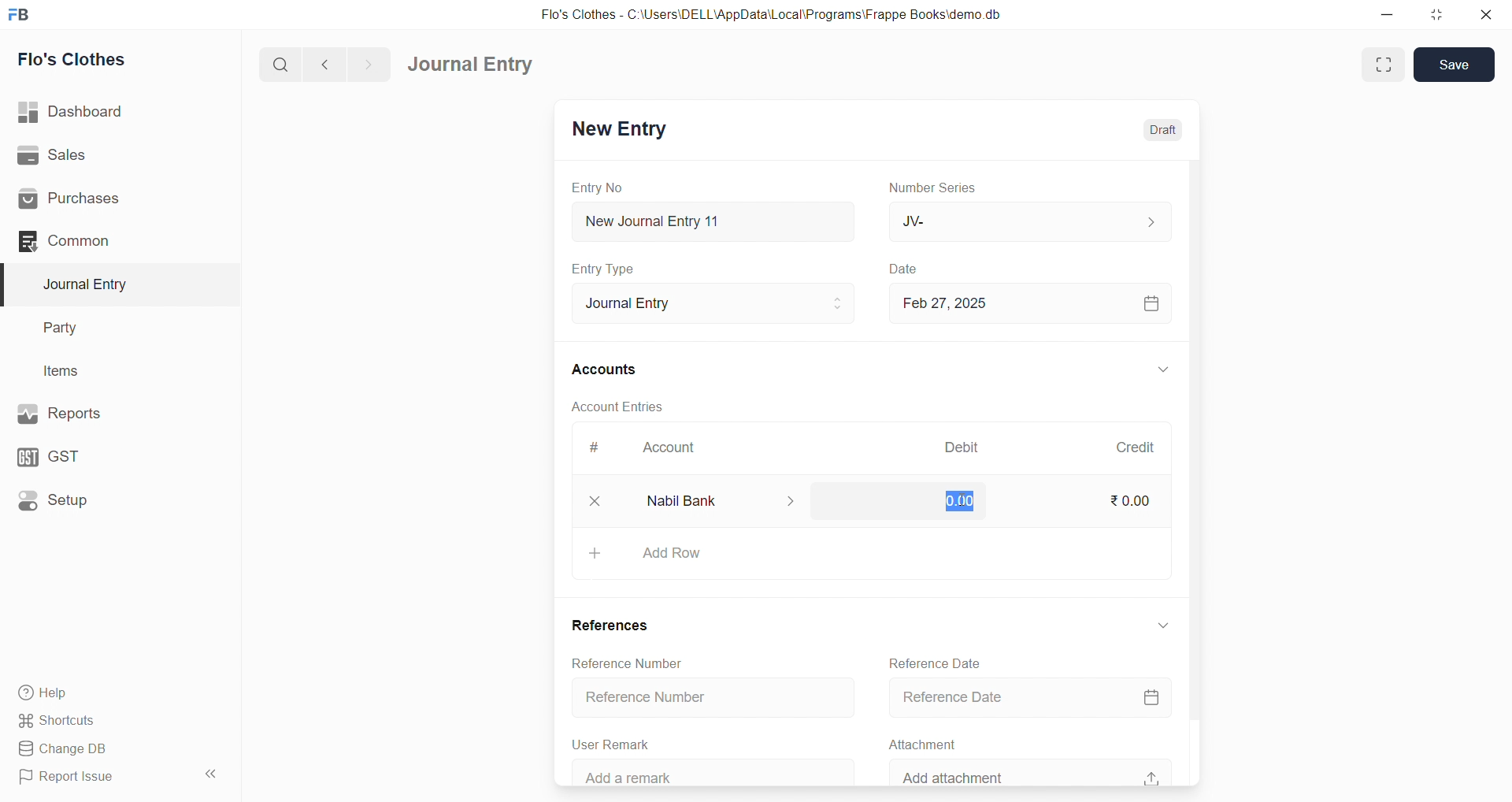 This screenshot has height=802, width=1512. I want to click on Journal Entry, so click(715, 303).